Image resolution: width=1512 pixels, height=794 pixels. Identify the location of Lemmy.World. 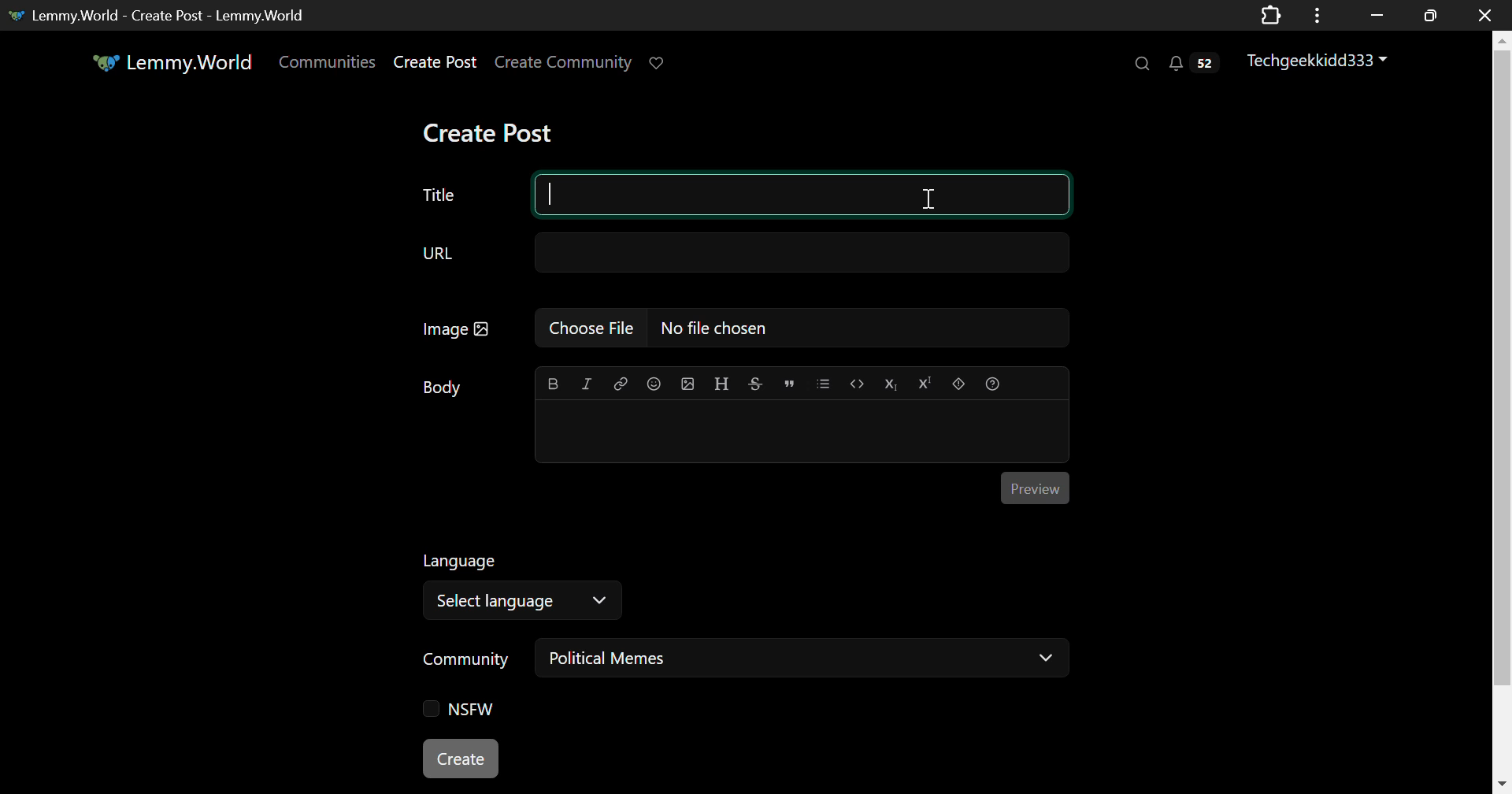
(171, 61).